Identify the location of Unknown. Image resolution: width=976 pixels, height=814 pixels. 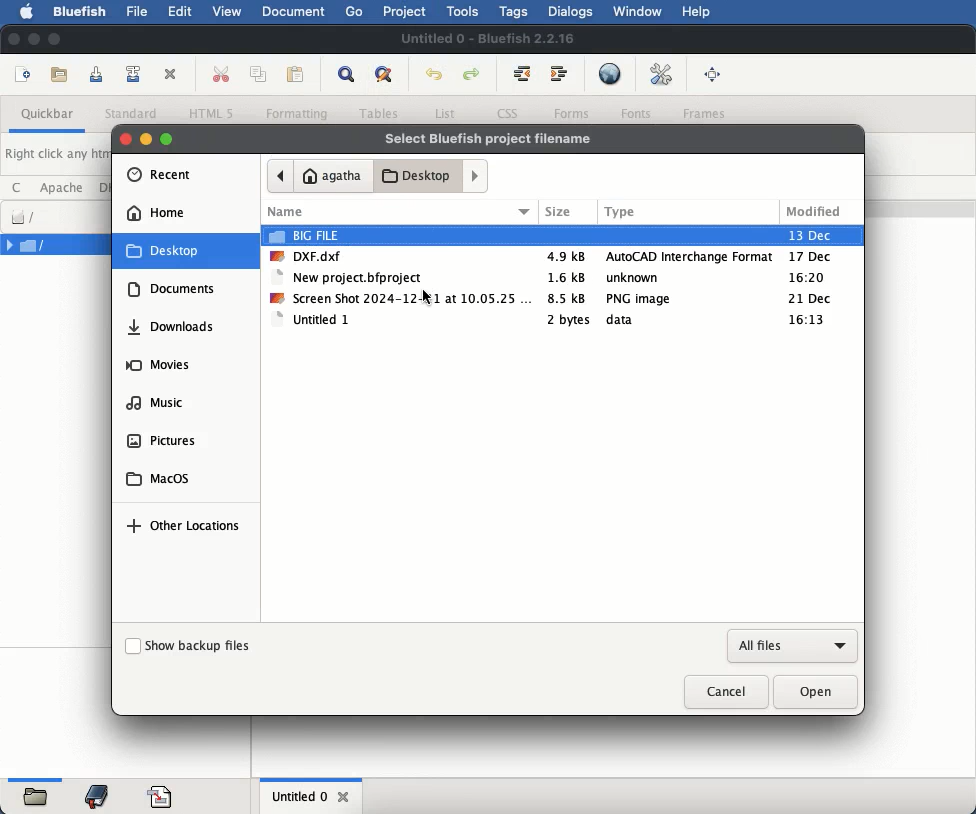
(634, 277).